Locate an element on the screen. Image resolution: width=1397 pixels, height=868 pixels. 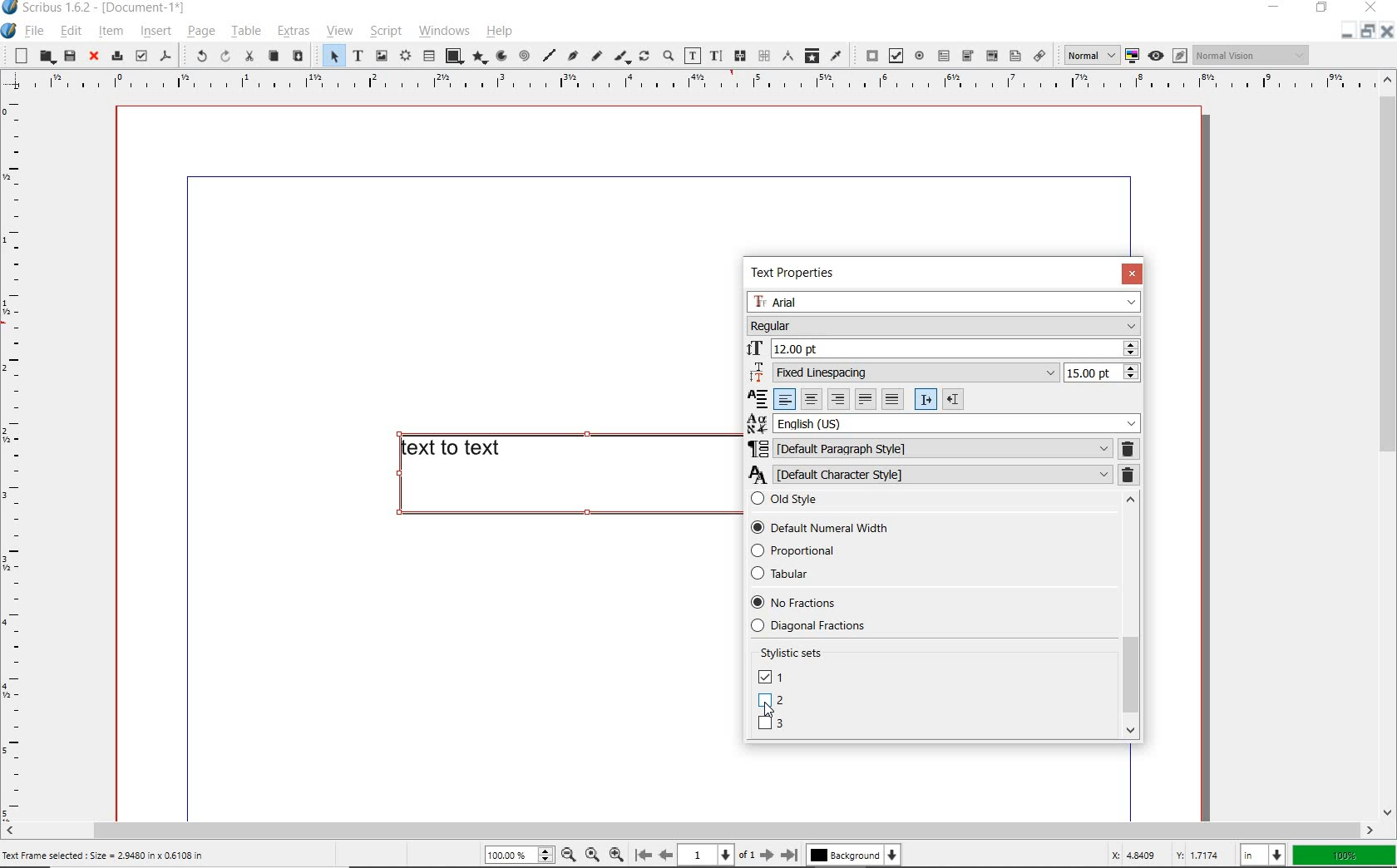
Text Frame selected : Size = 2.9480 in x 0.6108 in is located at coordinates (105, 856).